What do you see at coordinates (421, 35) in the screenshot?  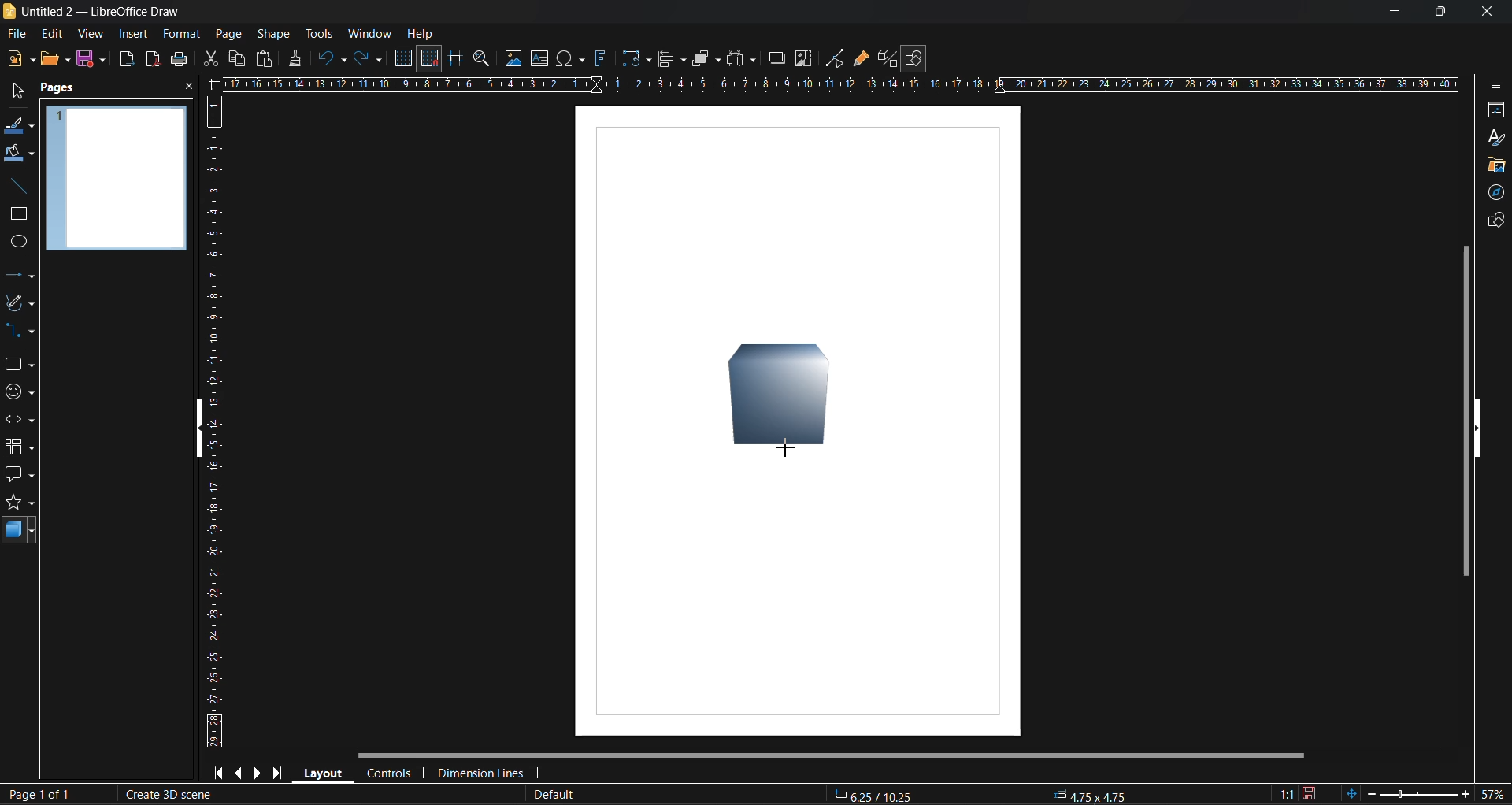 I see `help` at bounding box center [421, 35].